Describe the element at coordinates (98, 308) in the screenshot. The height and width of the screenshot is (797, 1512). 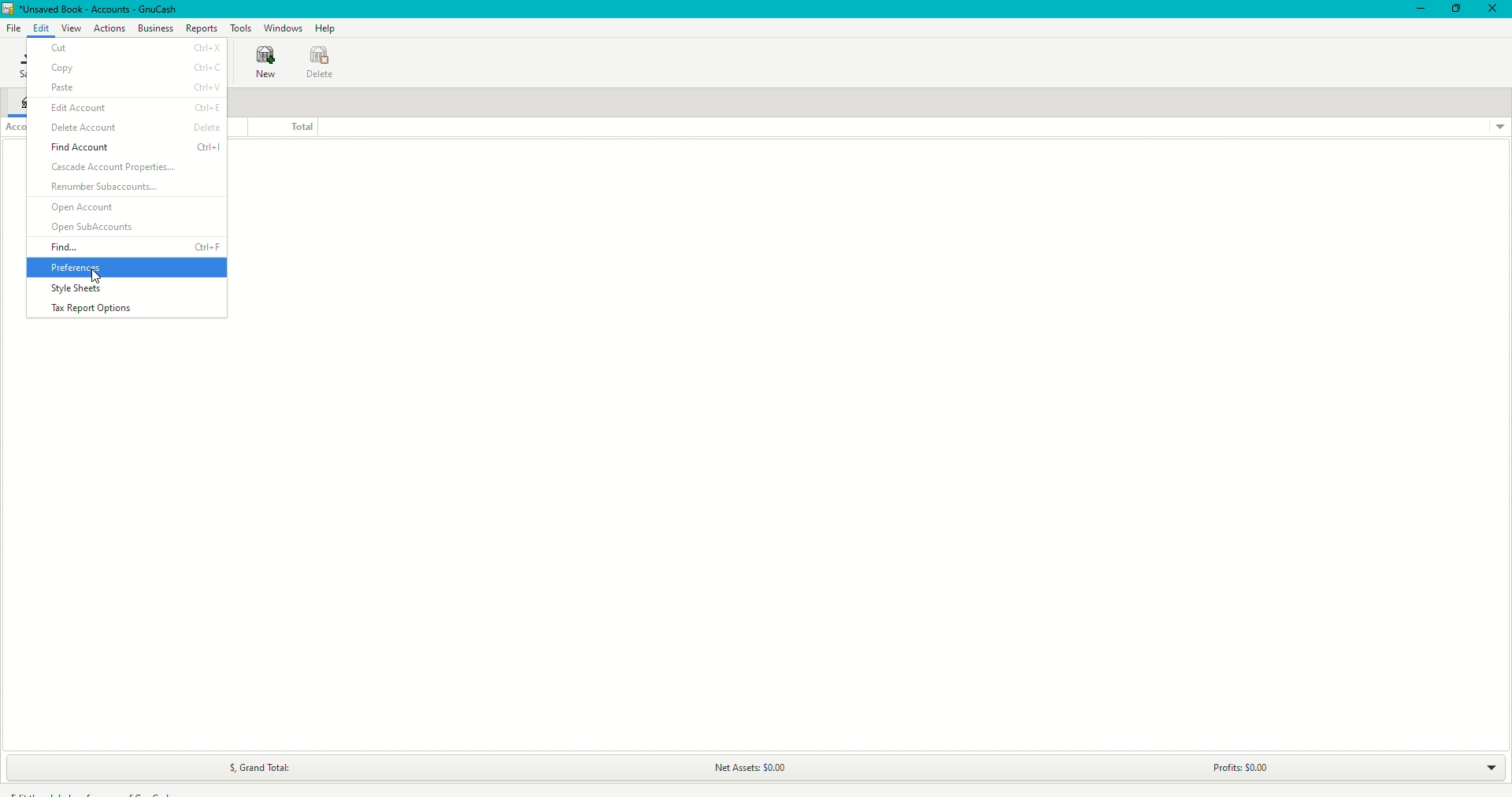
I see `Tax Report Options` at that location.